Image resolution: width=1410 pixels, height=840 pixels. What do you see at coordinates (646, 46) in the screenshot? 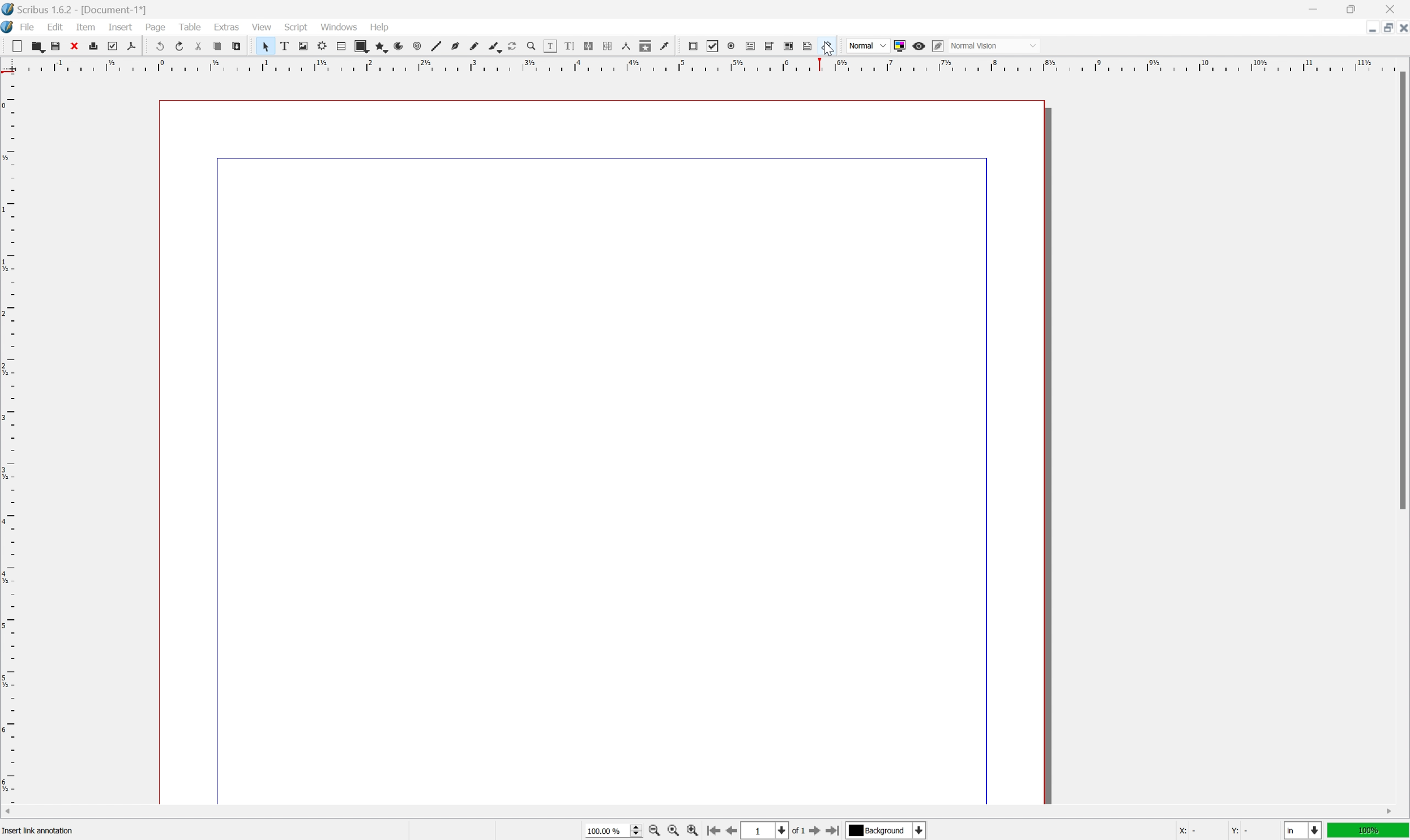
I see `copy item properties` at bounding box center [646, 46].